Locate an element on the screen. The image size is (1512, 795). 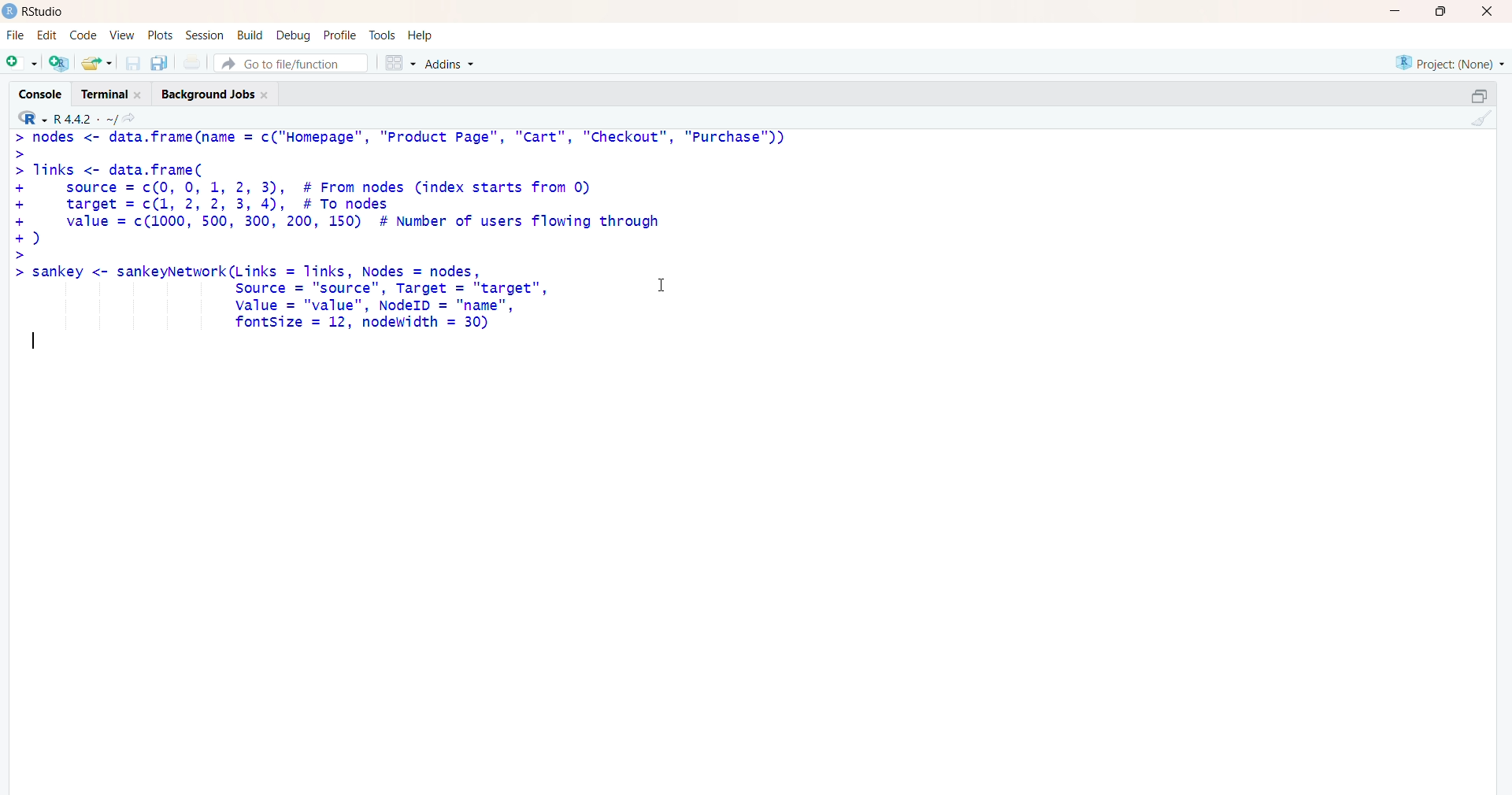
copy is located at coordinates (1468, 93).